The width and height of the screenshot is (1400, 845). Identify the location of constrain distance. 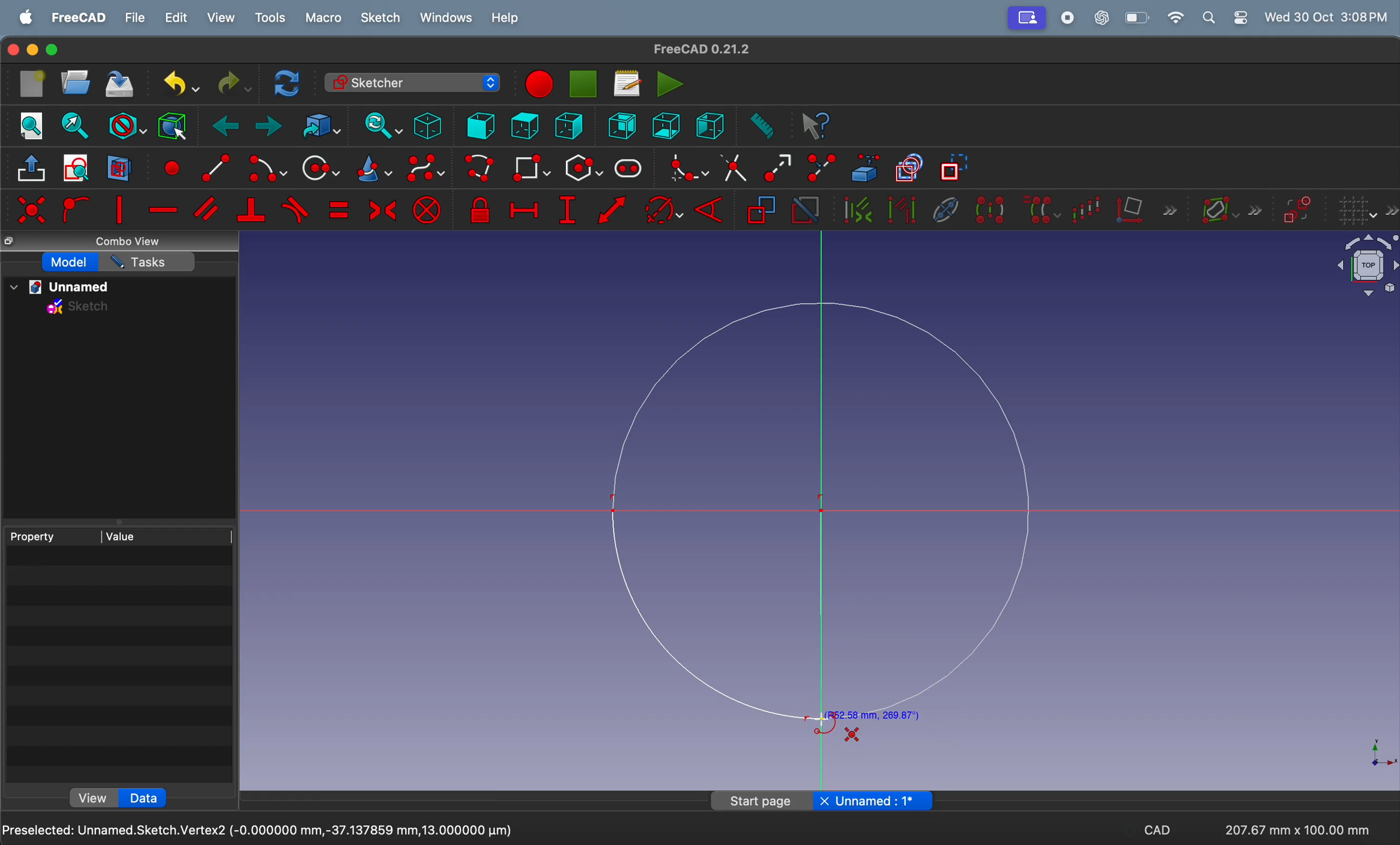
(613, 213).